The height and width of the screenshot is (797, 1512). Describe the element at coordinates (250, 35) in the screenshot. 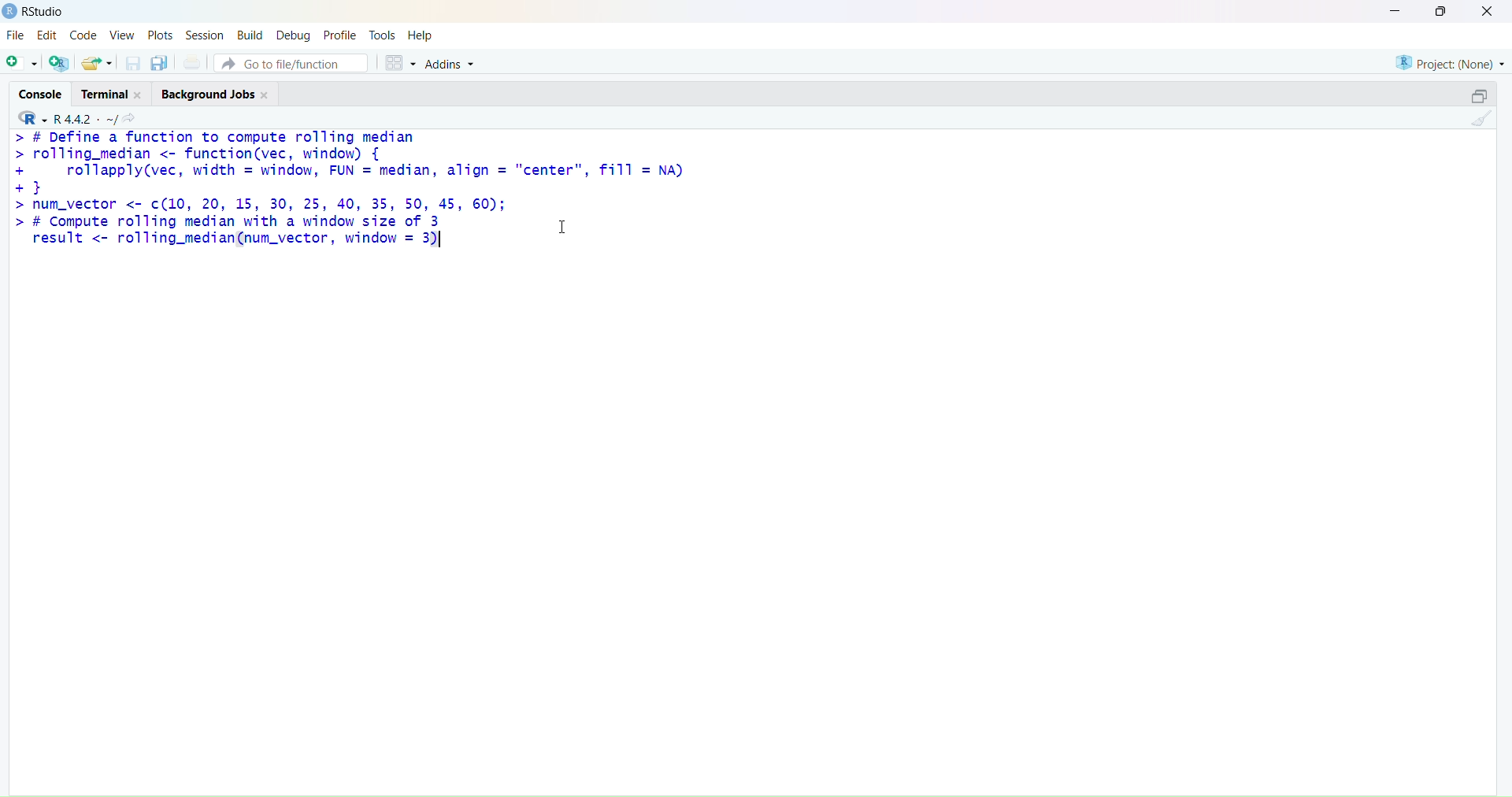

I see `build` at that location.